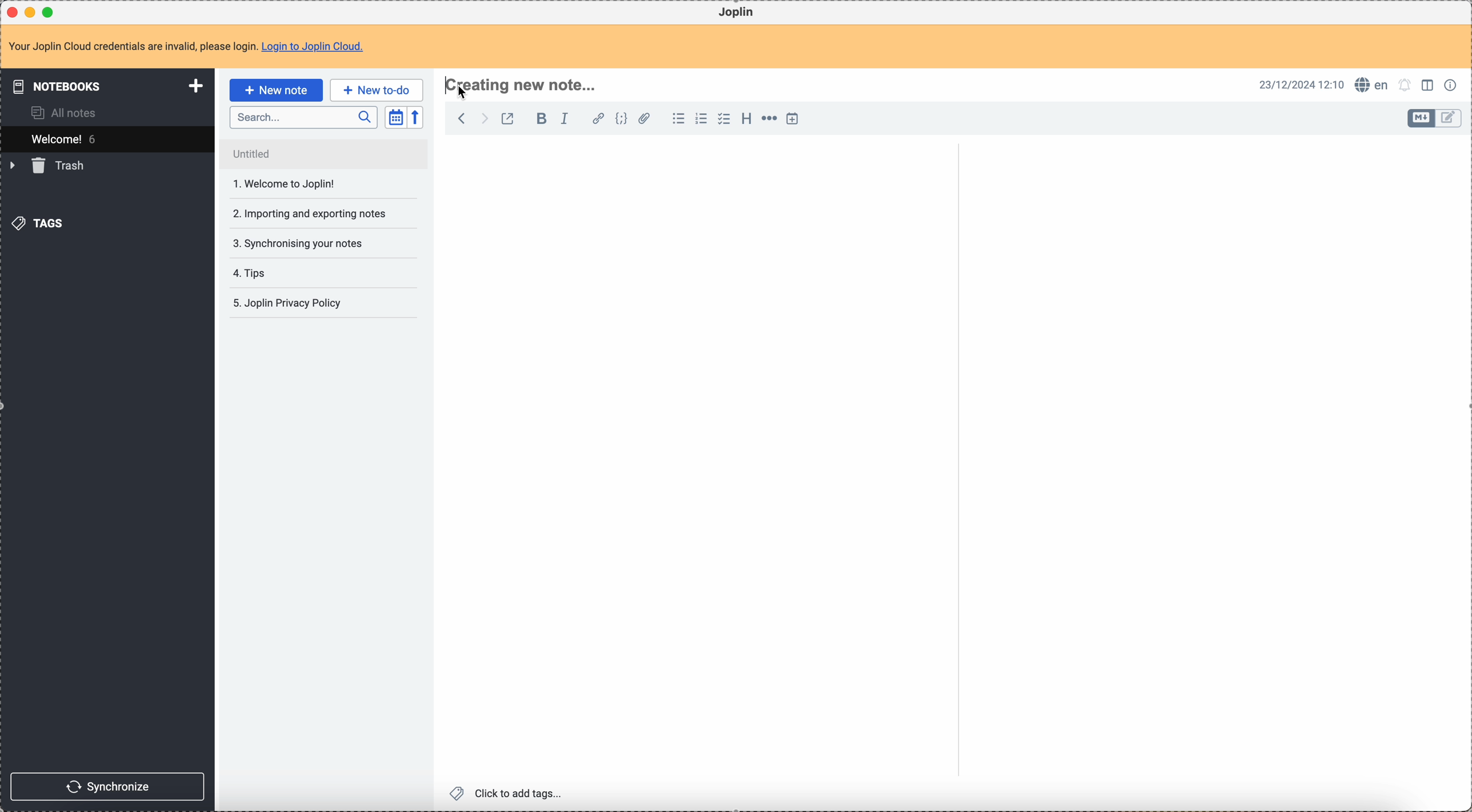  Describe the element at coordinates (33, 11) in the screenshot. I see `minimize` at that location.